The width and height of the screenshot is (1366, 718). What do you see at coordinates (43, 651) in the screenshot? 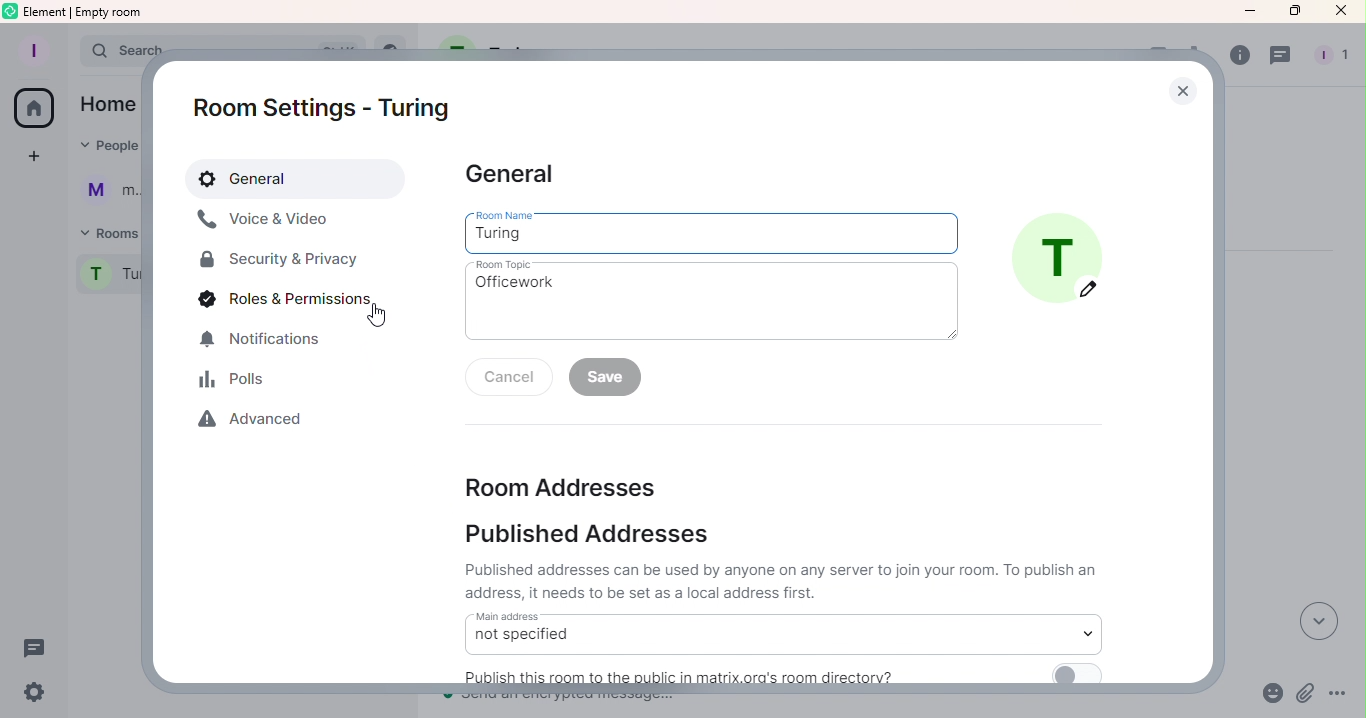
I see `Threads` at bounding box center [43, 651].